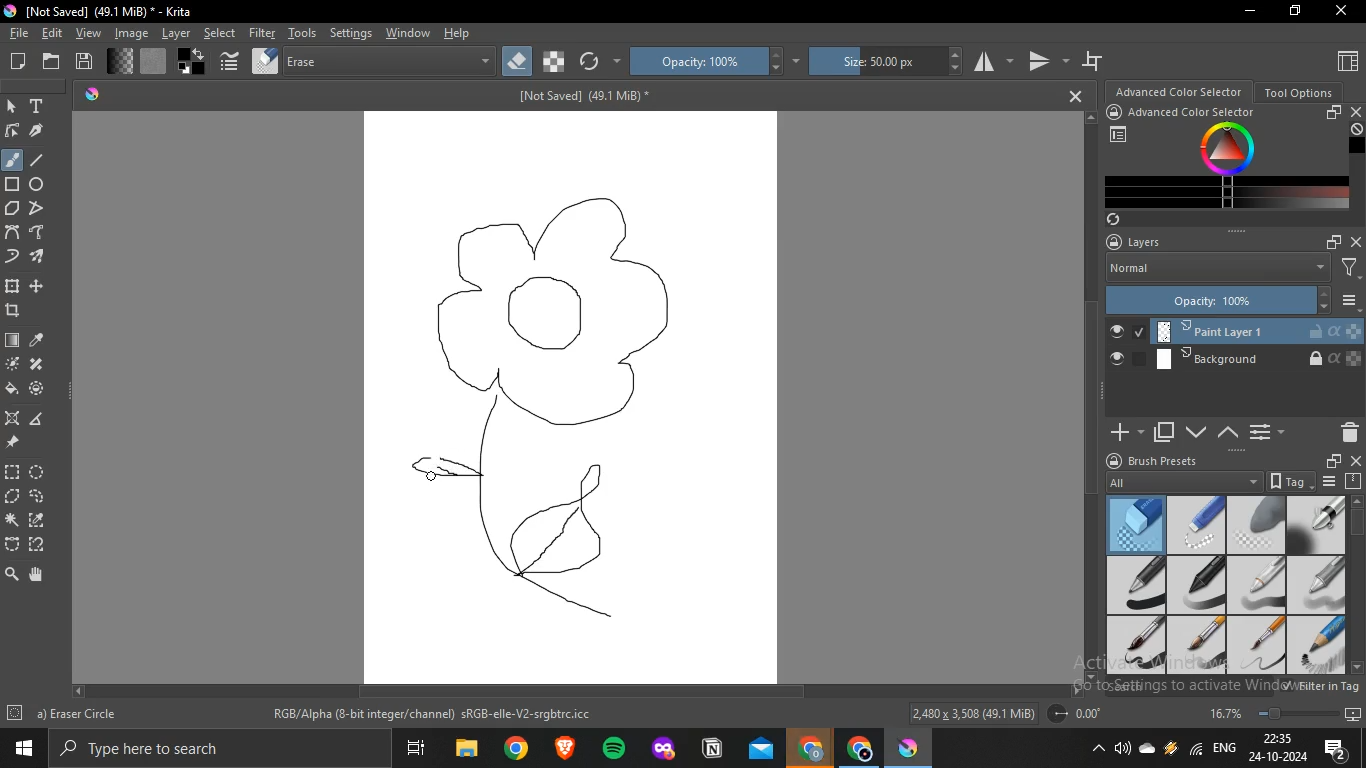  What do you see at coordinates (406, 33) in the screenshot?
I see `window` at bounding box center [406, 33].